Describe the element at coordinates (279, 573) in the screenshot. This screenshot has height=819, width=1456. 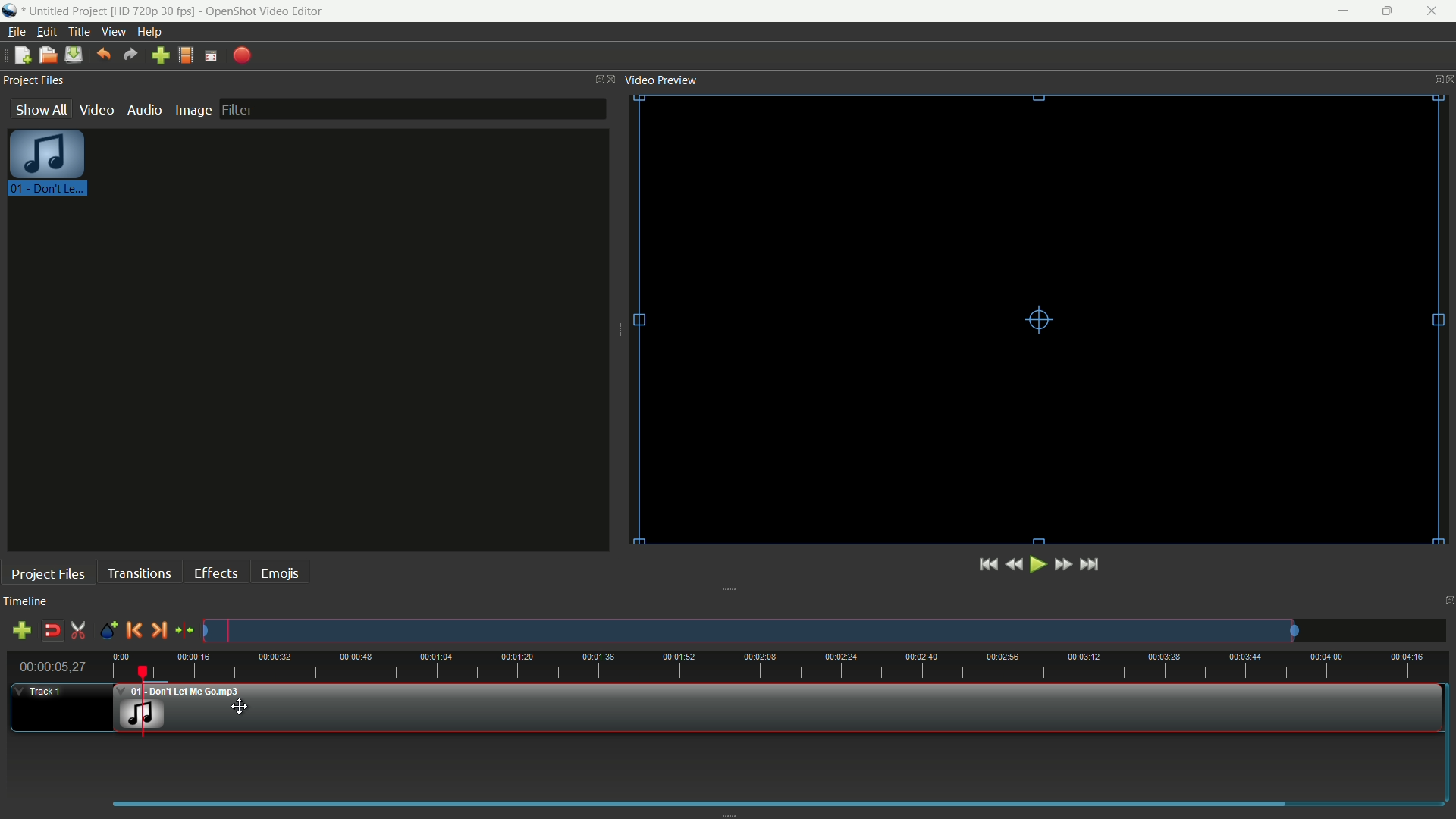
I see `emojis` at that location.